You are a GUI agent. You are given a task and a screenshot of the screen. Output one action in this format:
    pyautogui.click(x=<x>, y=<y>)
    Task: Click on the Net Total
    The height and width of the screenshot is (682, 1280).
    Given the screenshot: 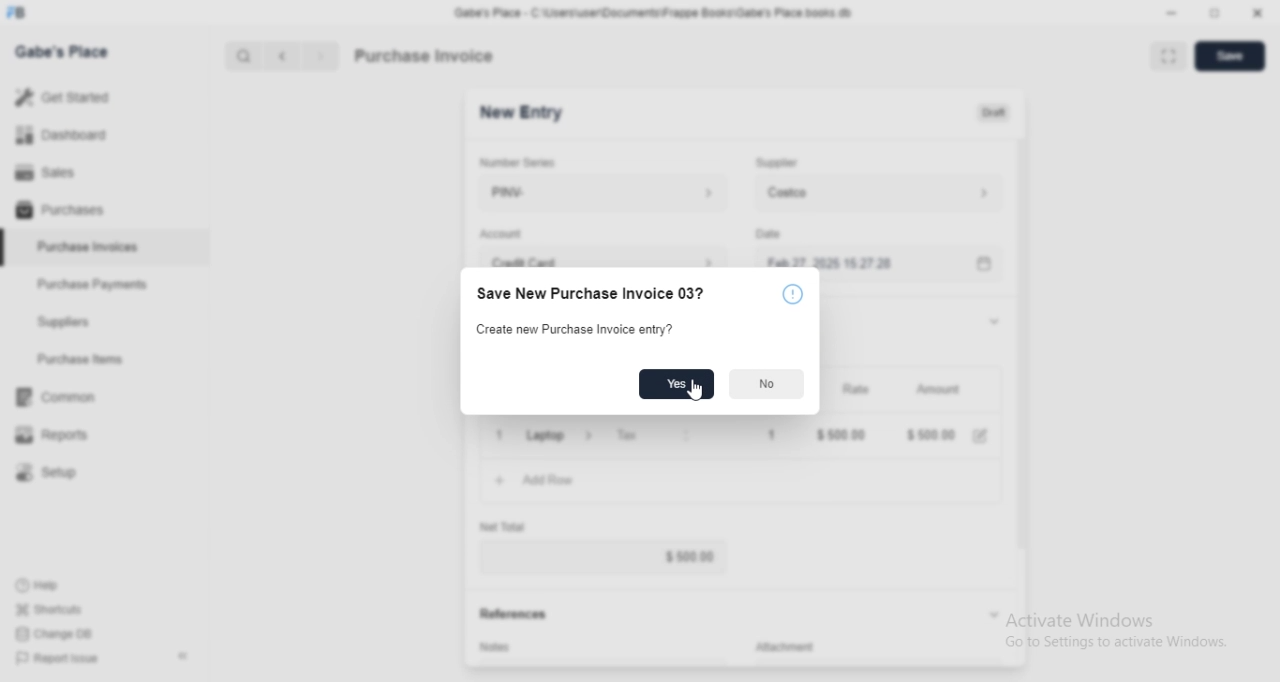 What is the action you would take?
    pyautogui.click(x=503, y=526)
    